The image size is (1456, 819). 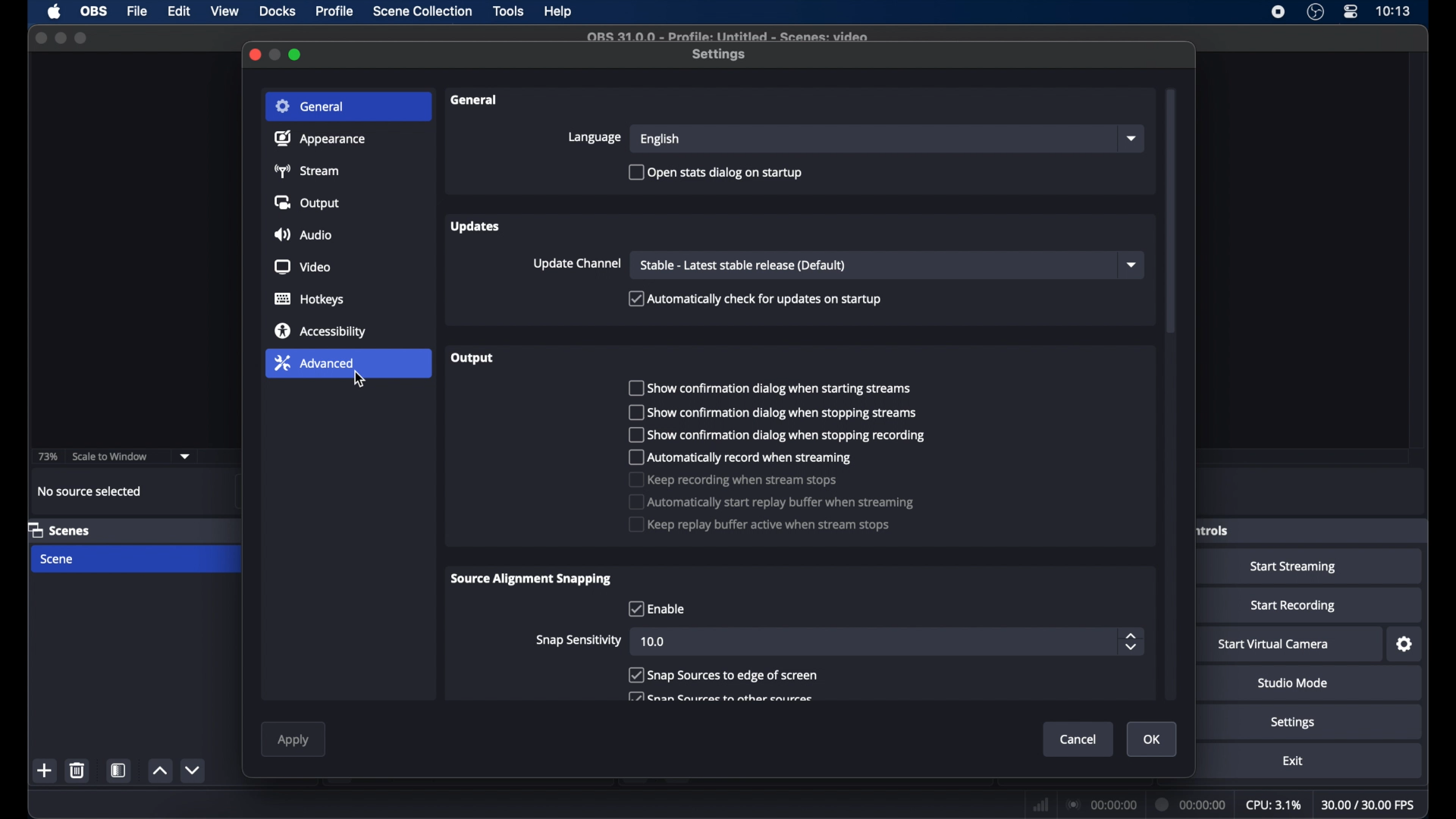 What do you see at coordinates (1131, 641) in the screenshot?
I see `stepper buttons` at bounding box center [1131, 641].